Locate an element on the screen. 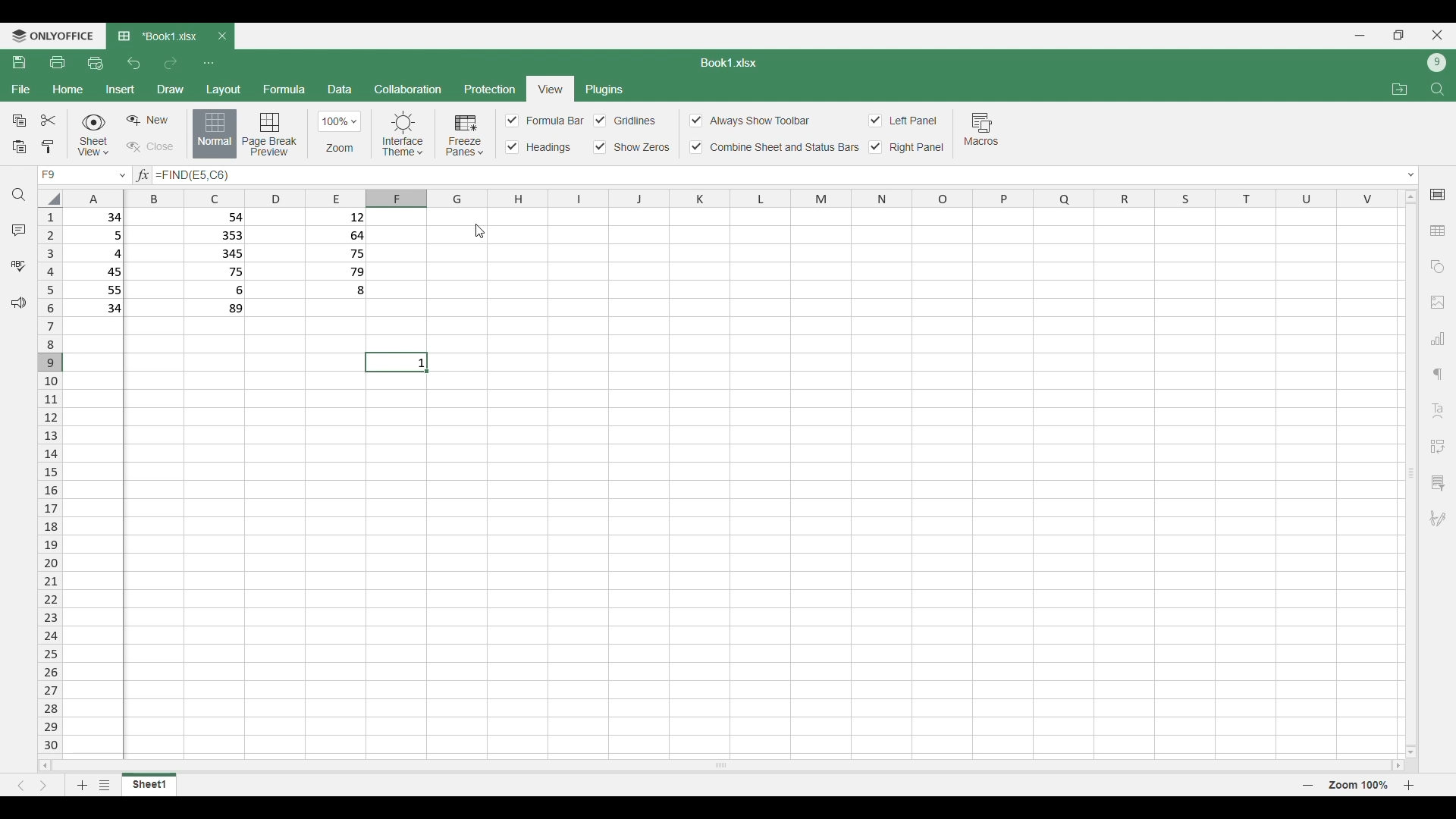  Freeze pane options is located at coordinates (465, 133).